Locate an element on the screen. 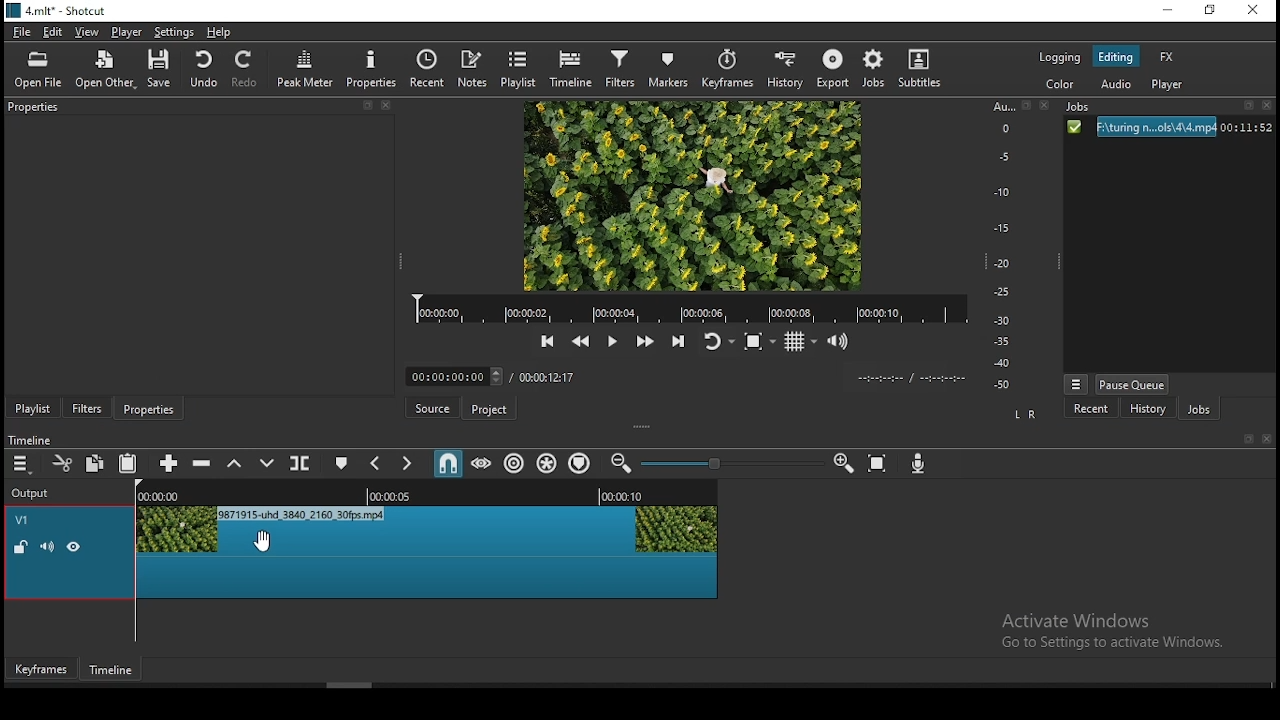 This screenshot has width=1280, height=720. close is located at coordinates (1268, 439).